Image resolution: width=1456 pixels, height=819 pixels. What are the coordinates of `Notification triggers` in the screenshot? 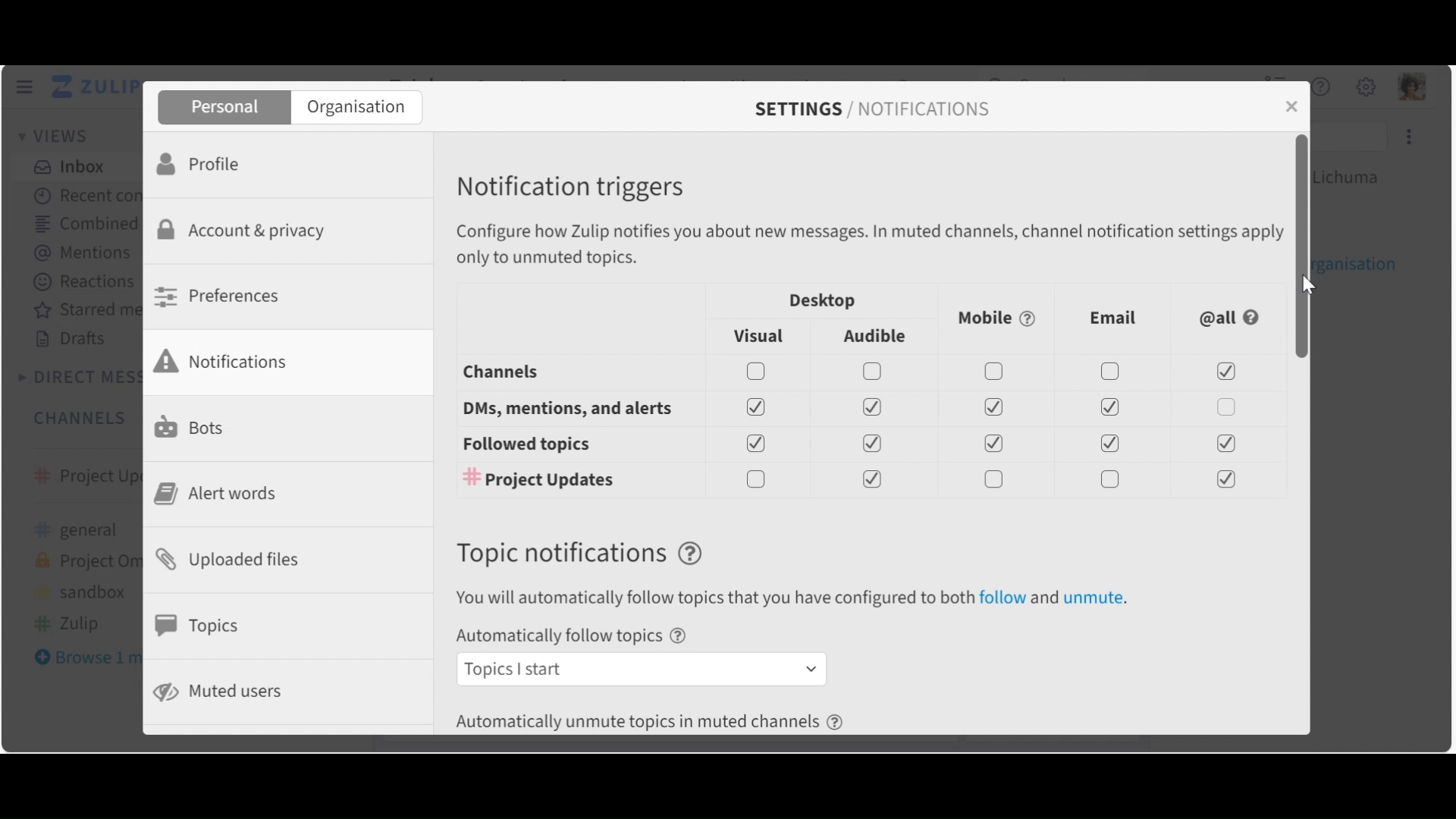 It's located at (574, 188).